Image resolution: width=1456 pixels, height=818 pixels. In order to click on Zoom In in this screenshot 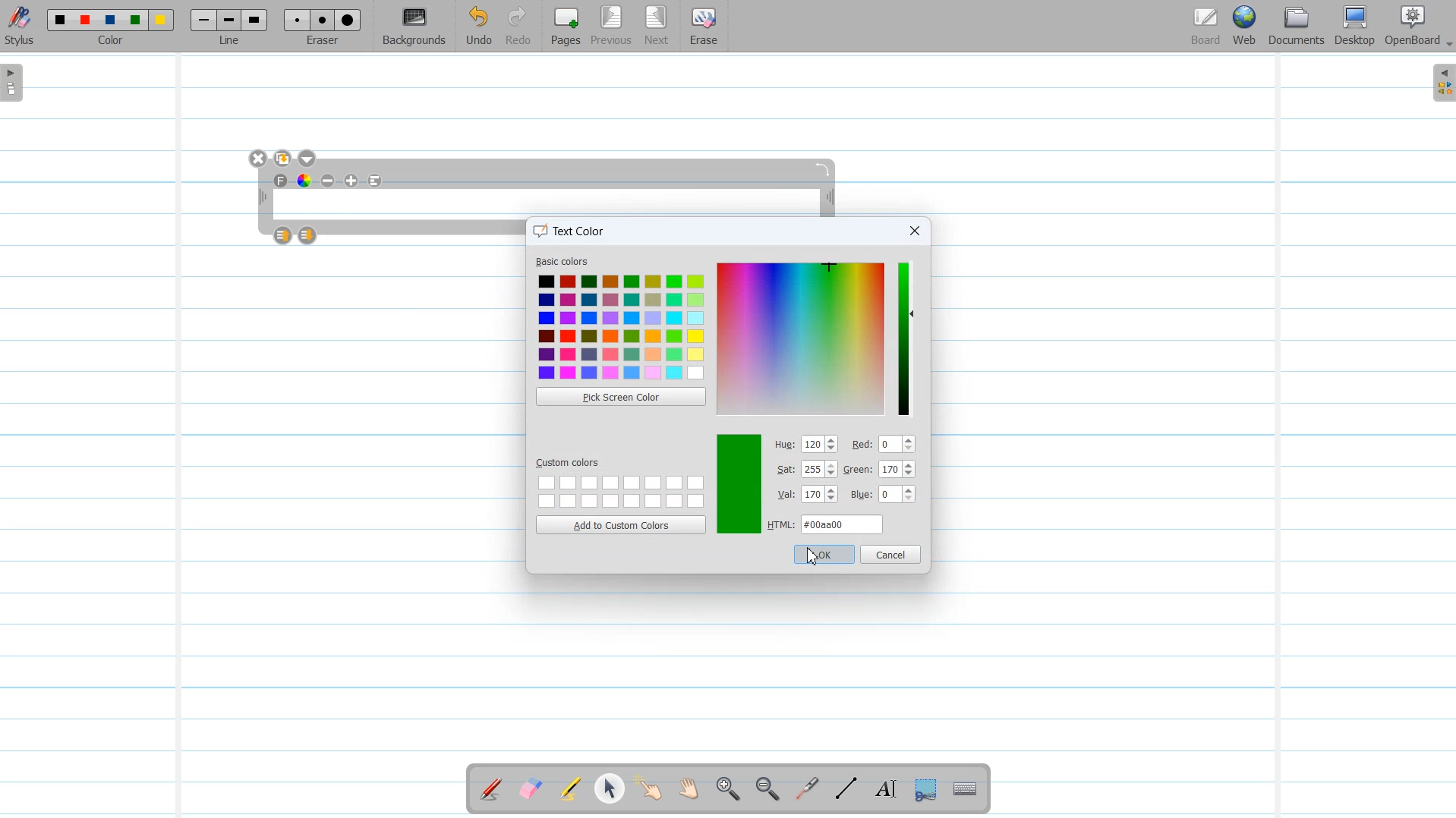, I will do `click(727, 790)`.